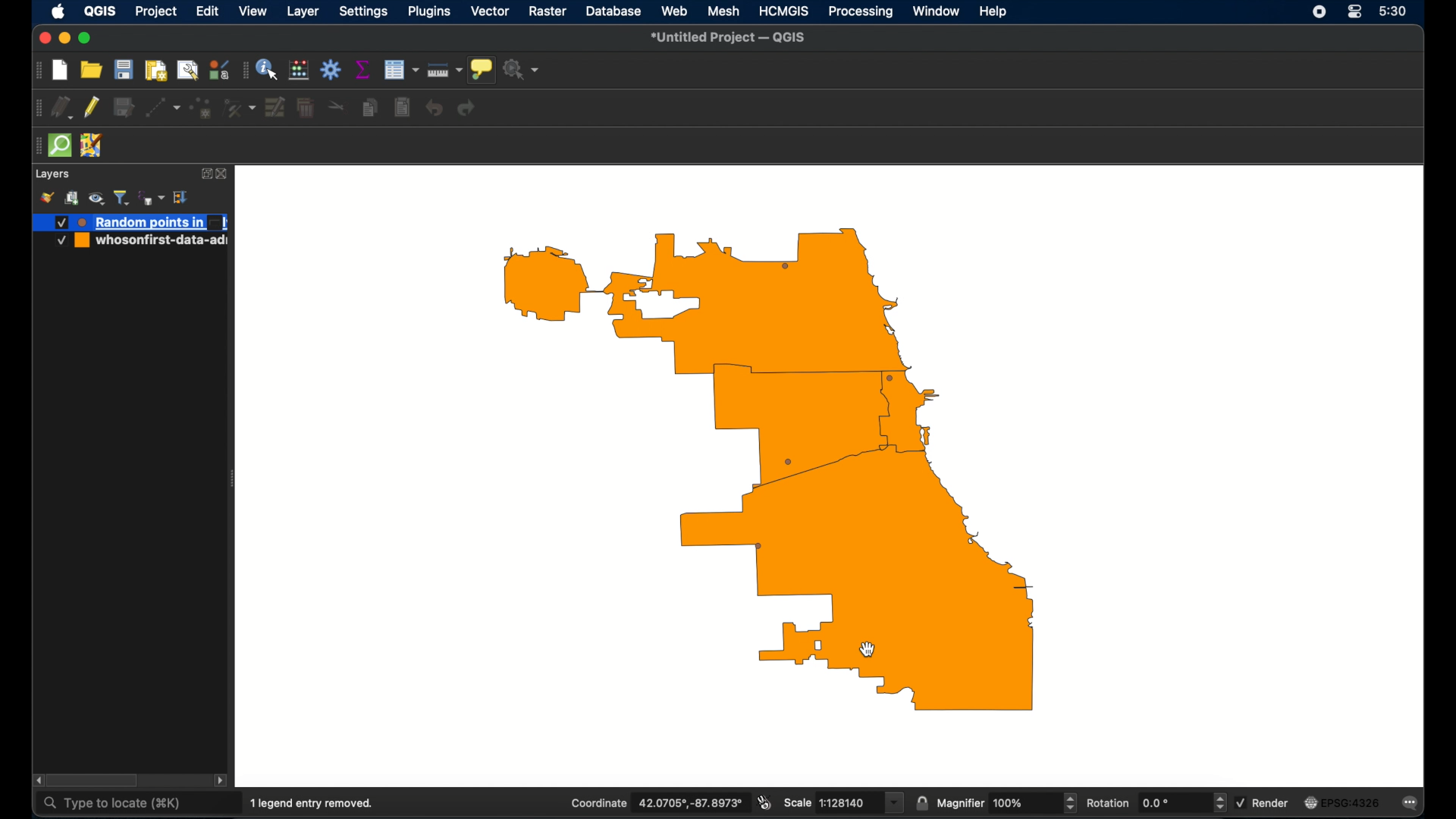  Describe the element at coordinates (1319, 12) in the screenshot. I see `screen recorder icon` at that location.